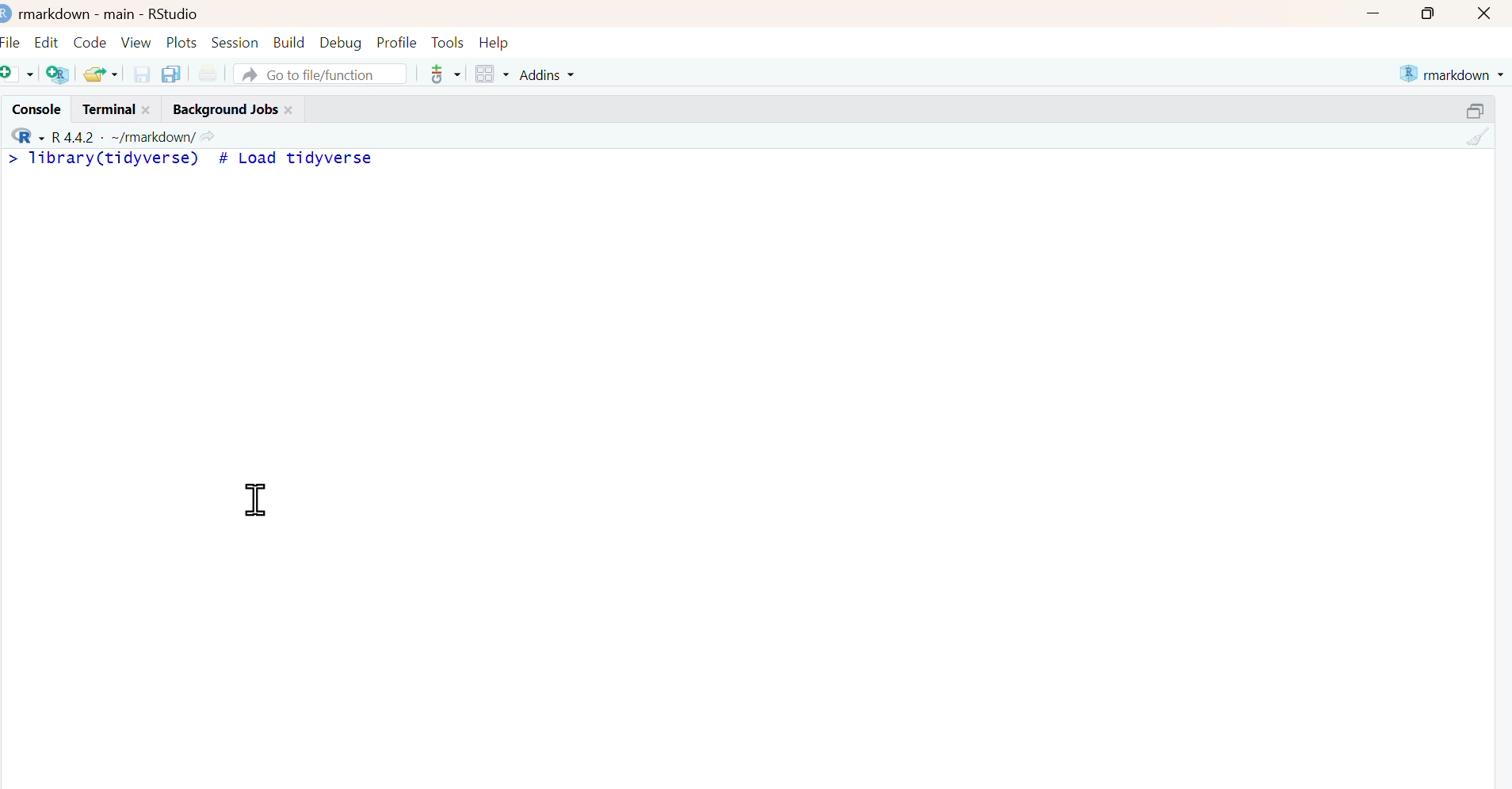 The width and height of the screenshot is (1512, 789). I want to click on markdown - main -, so click(78, 12).